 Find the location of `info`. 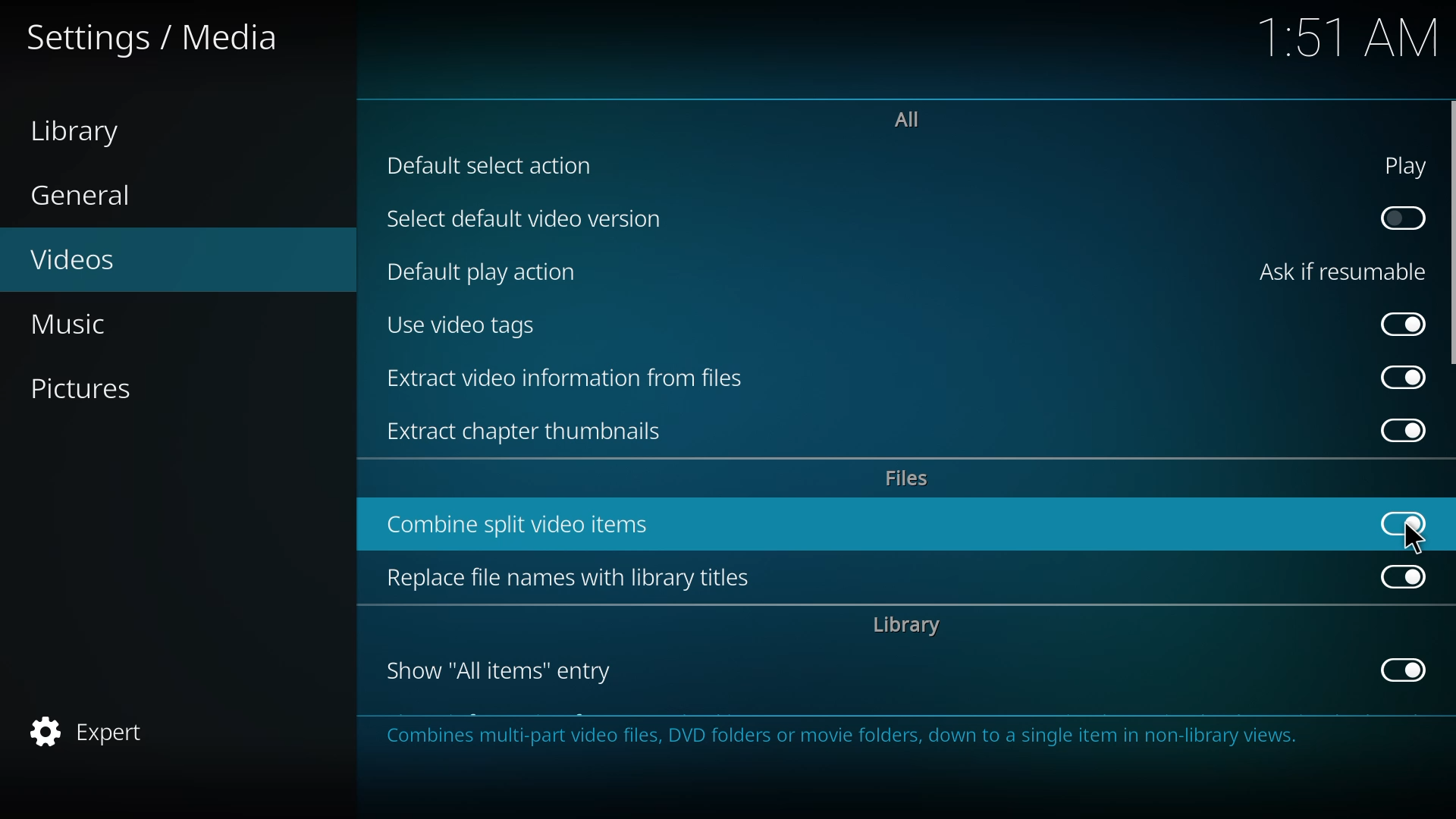

info is located at coordinates (852, 737).